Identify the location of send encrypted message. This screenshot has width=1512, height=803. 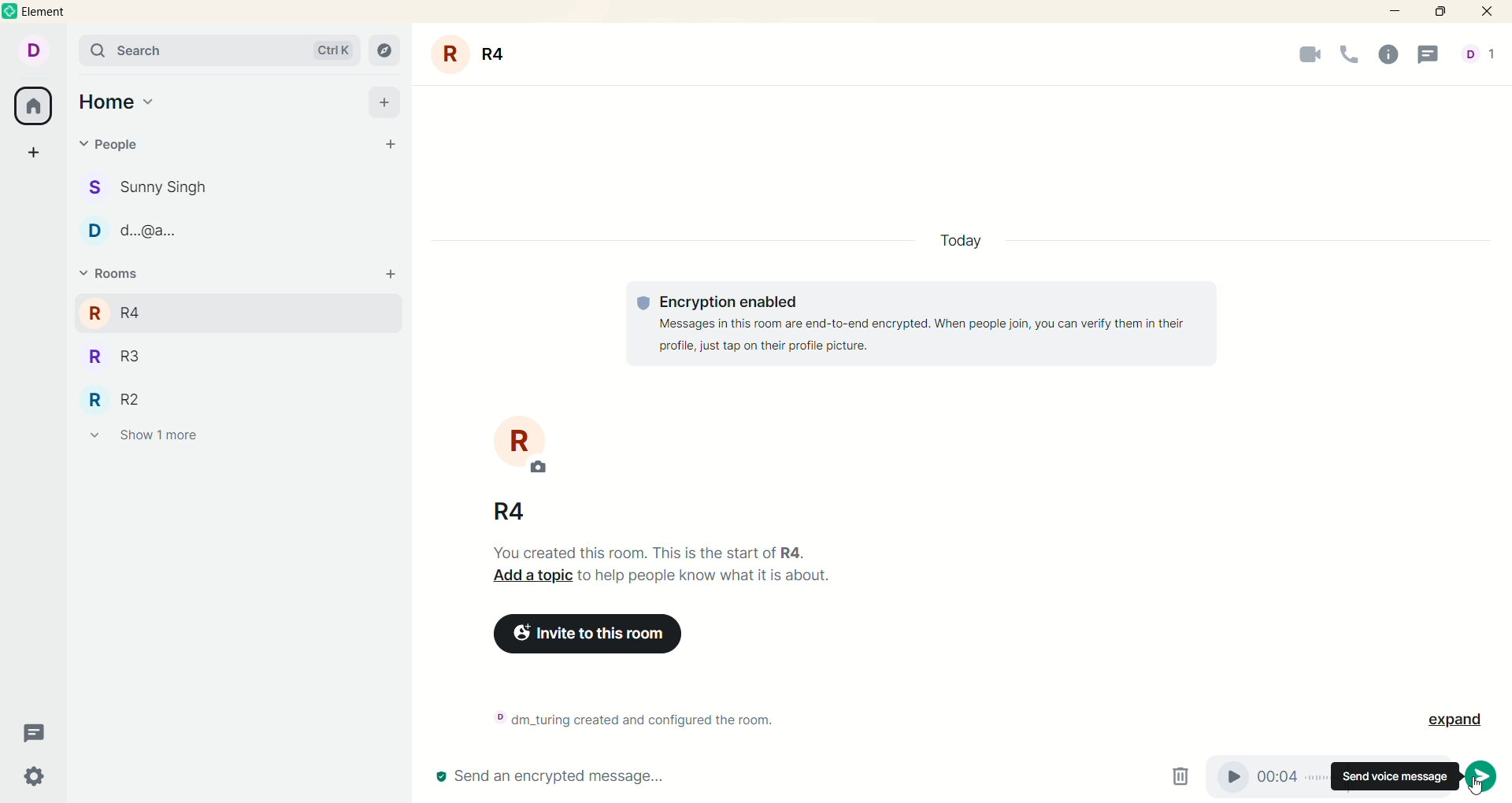
(550, 778).